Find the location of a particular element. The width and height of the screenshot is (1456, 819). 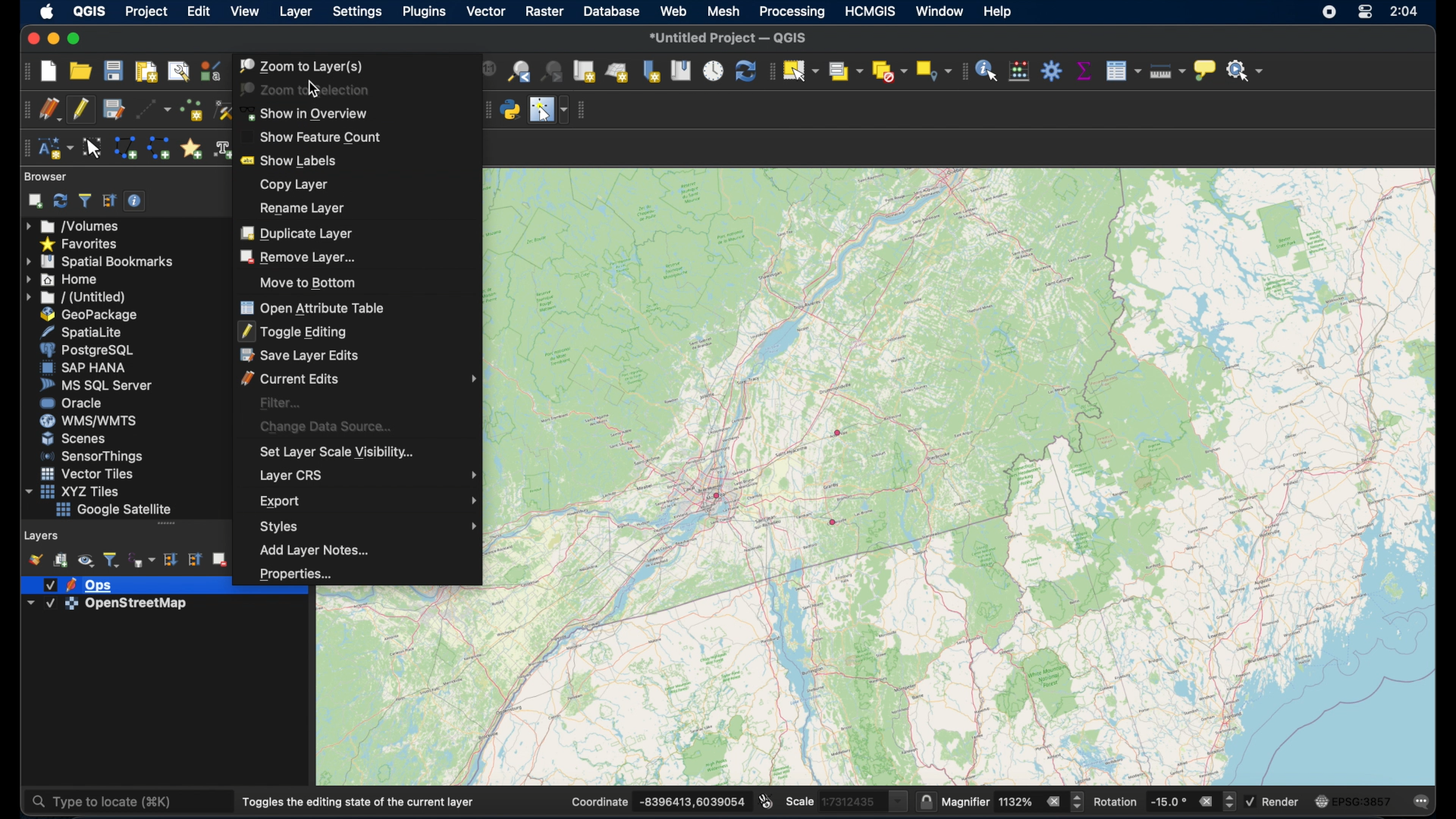

open field calculator is located at coordinates (1020, 70).